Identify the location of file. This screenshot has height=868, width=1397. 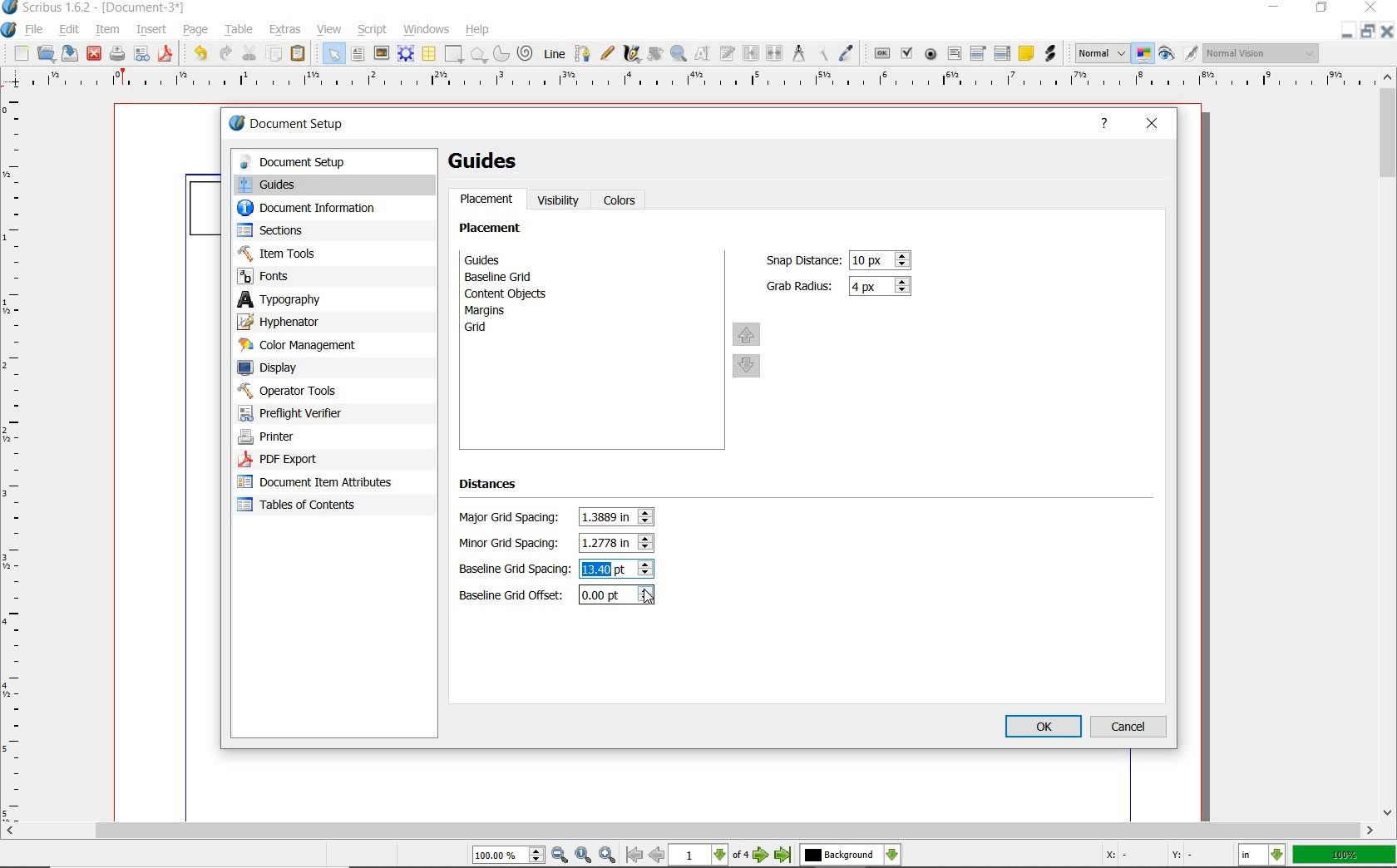
(37, 30).